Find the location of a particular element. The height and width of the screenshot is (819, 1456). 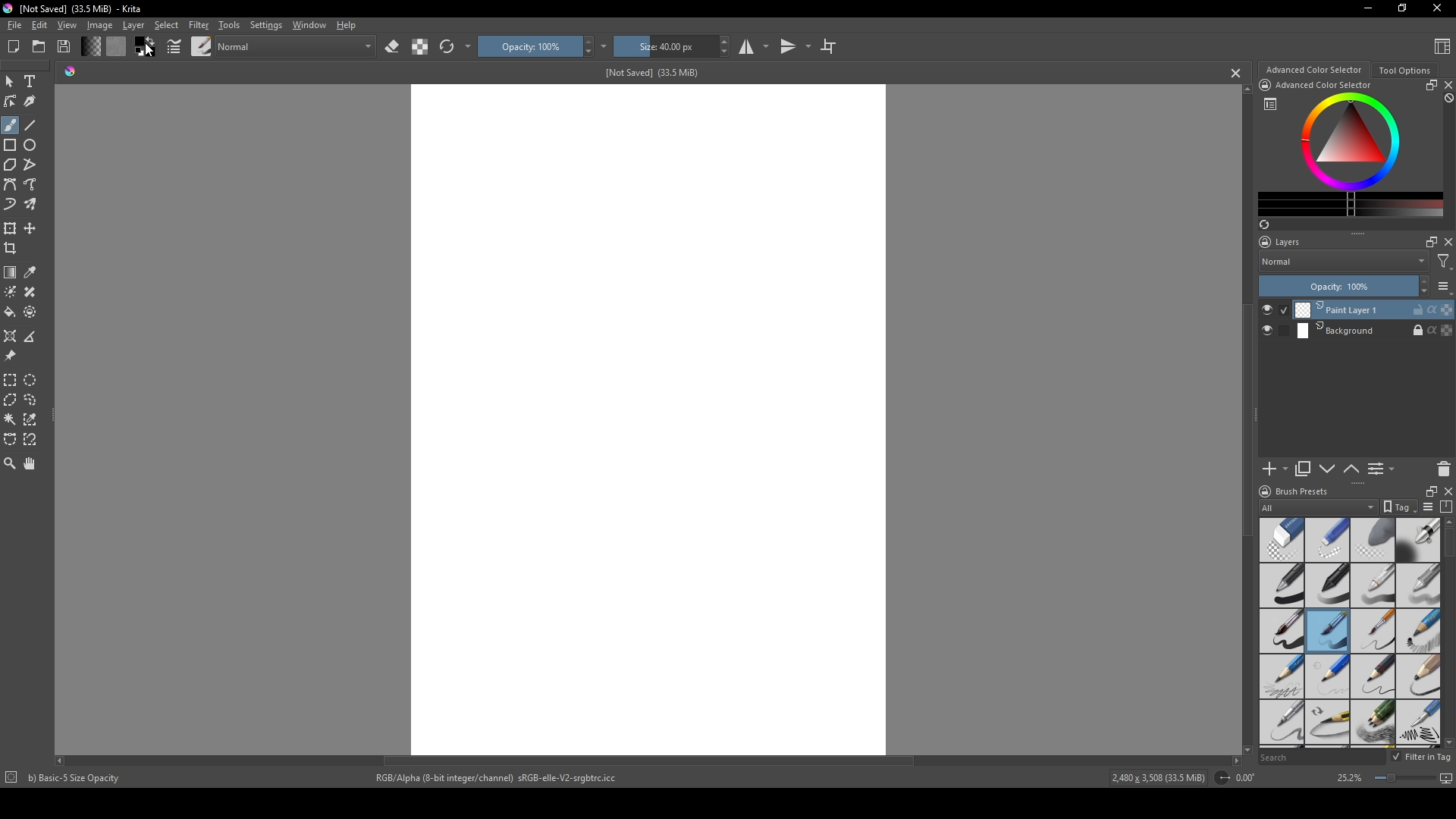

scroll bar is located at coordinates (1447, 544).